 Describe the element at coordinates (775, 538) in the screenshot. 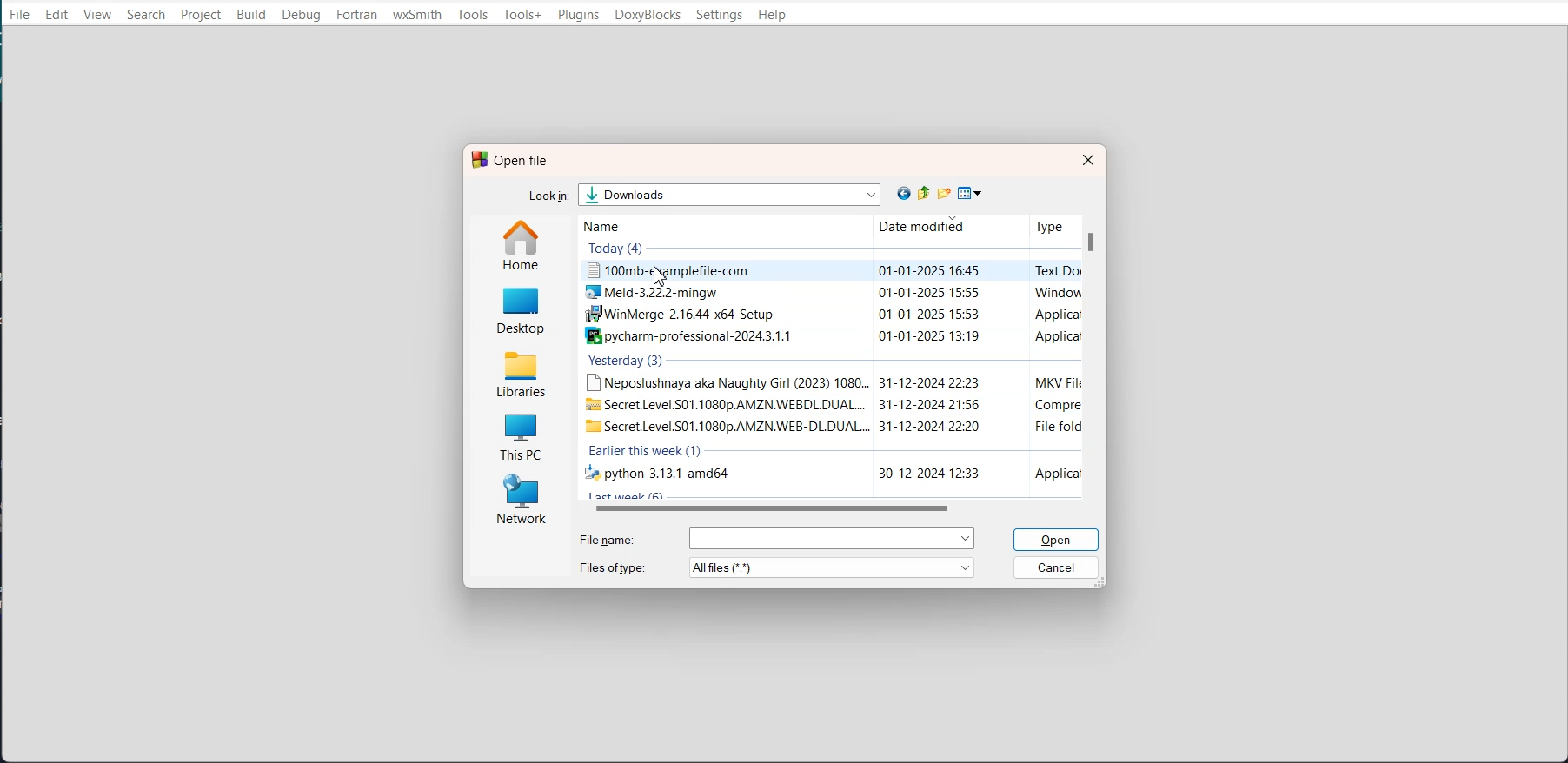

I see `File name` at that location.